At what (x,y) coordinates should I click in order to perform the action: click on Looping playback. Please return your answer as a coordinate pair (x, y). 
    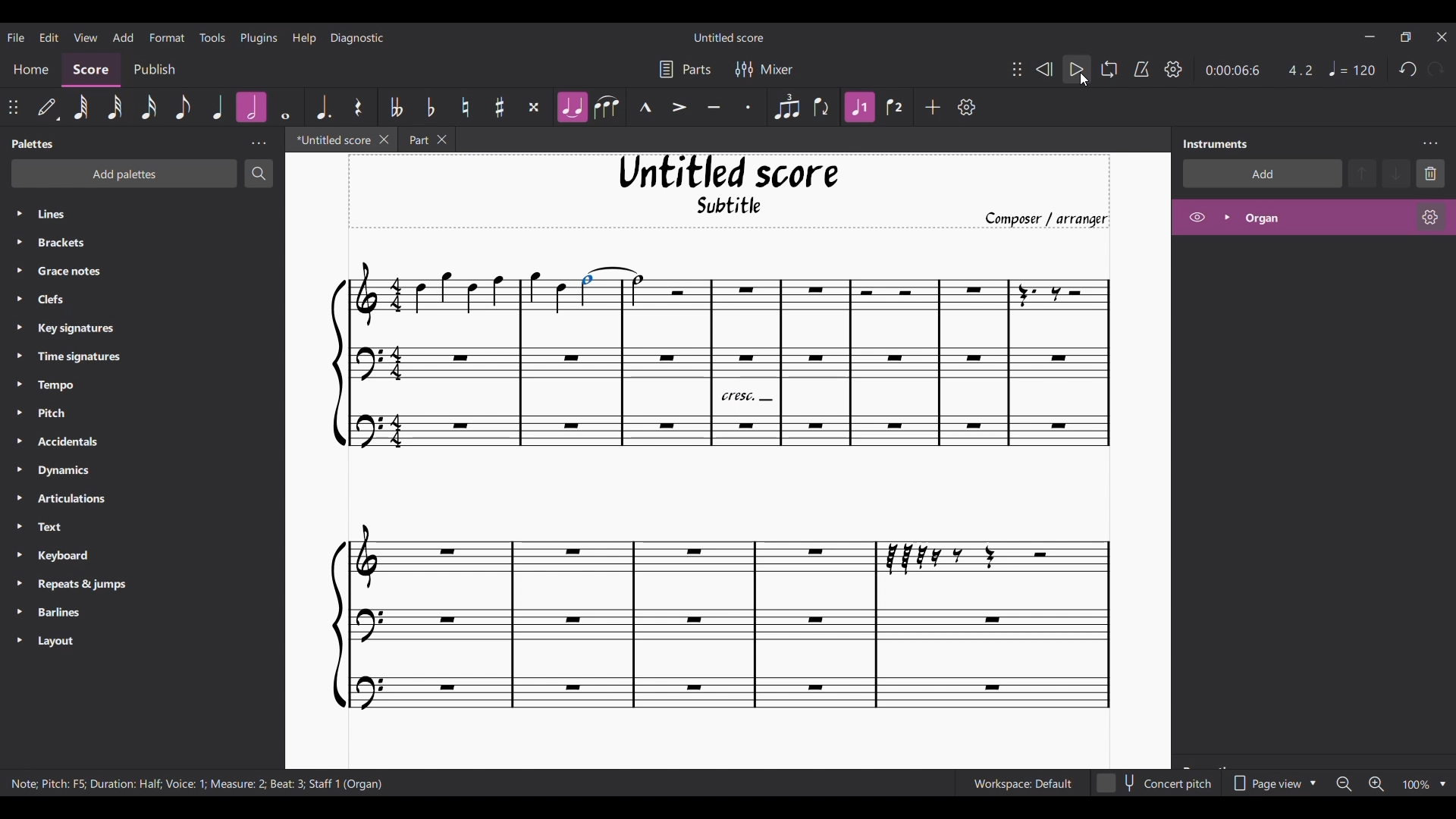
    Looking at the image, I should click on (1109, 69).